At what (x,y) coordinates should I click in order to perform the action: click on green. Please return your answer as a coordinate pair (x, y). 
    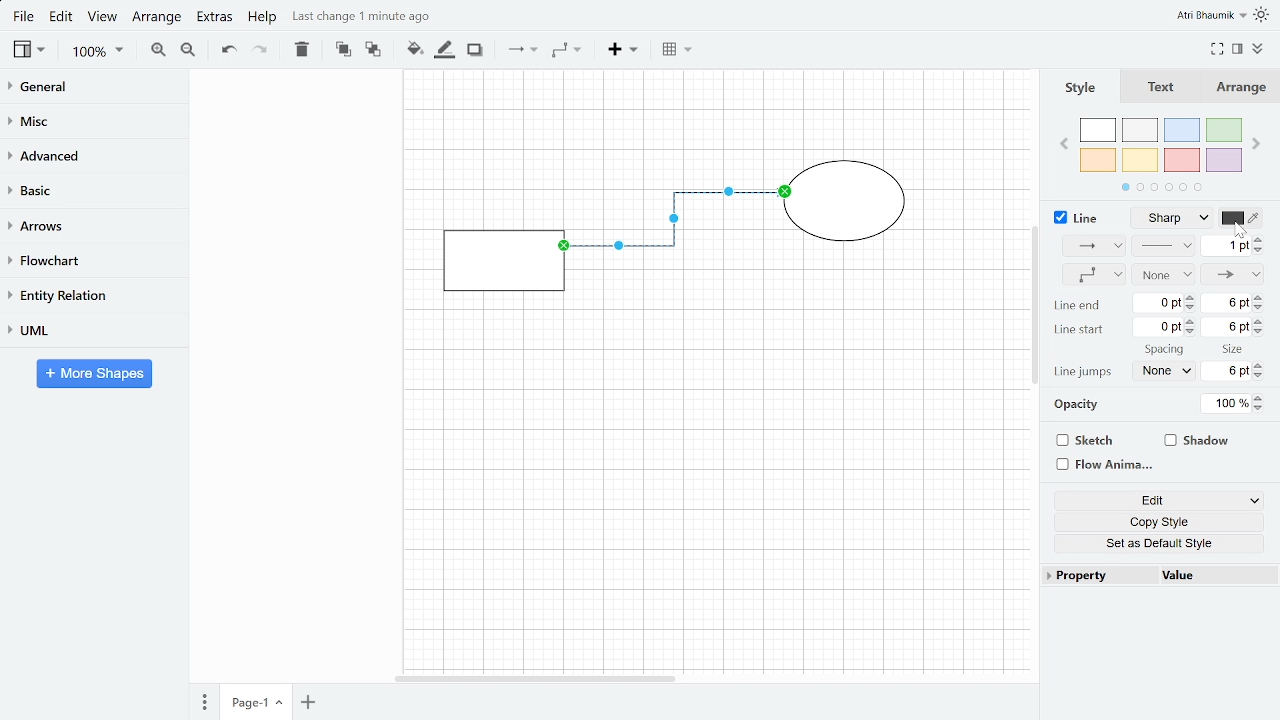
    Looking at the image, I should click on (1225, 132).